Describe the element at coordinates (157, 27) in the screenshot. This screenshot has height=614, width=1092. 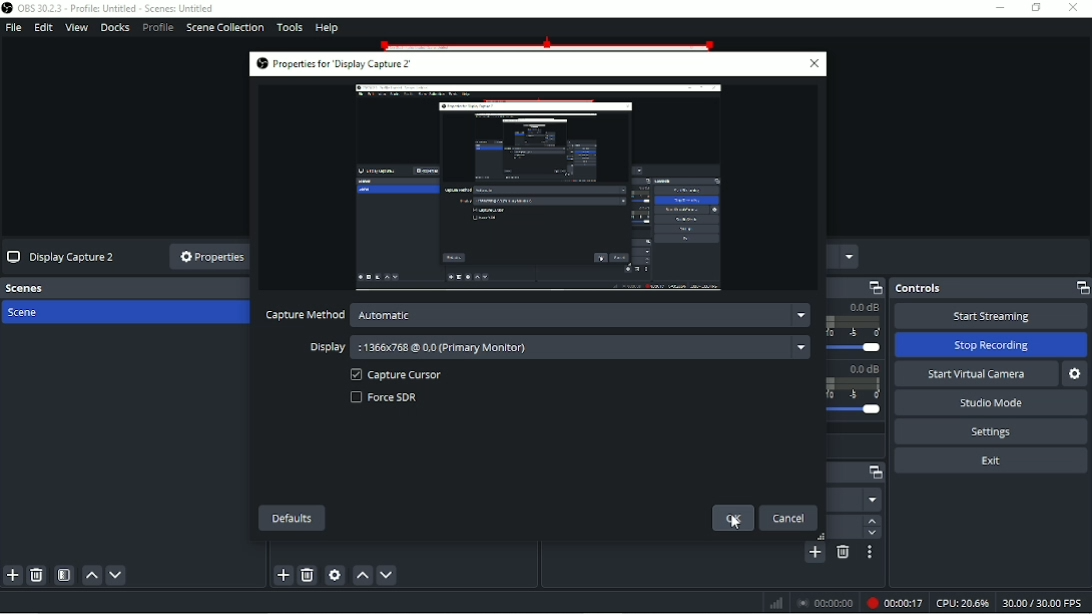
I see `Profile` at that location.